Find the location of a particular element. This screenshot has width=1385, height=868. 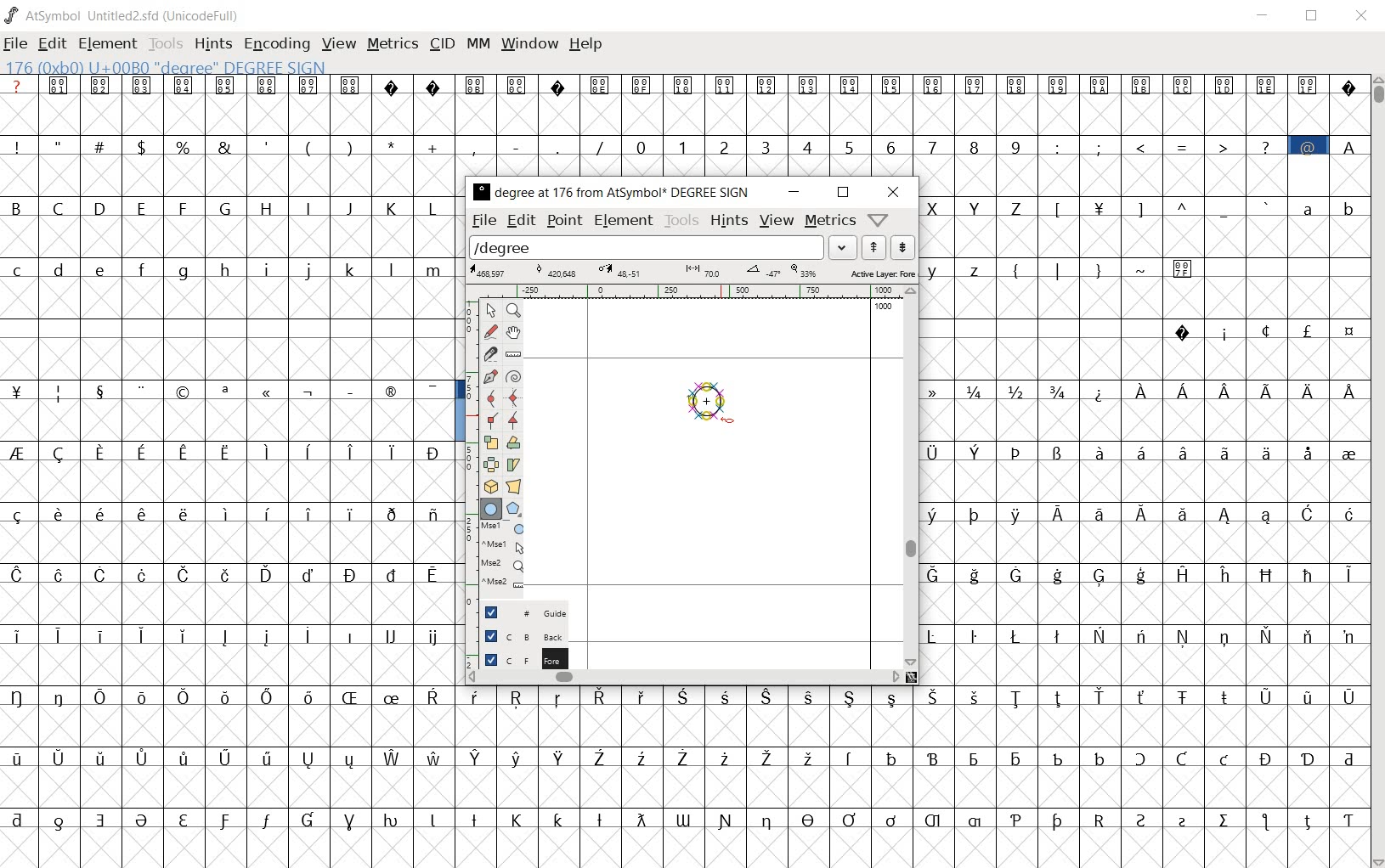

polygon or star is located at coordinates (515, 508).